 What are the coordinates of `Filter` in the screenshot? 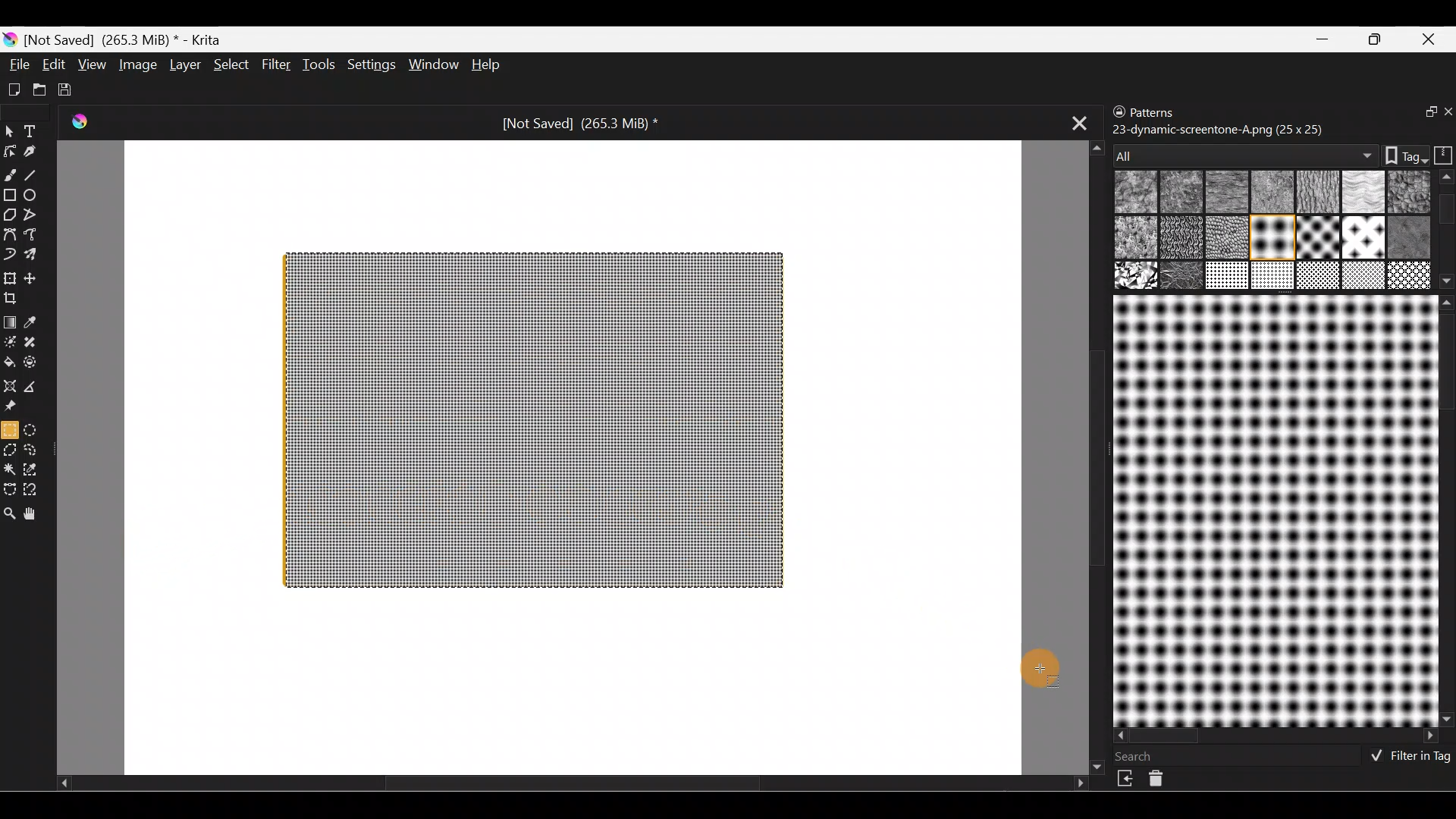 It's located at (276, 63).